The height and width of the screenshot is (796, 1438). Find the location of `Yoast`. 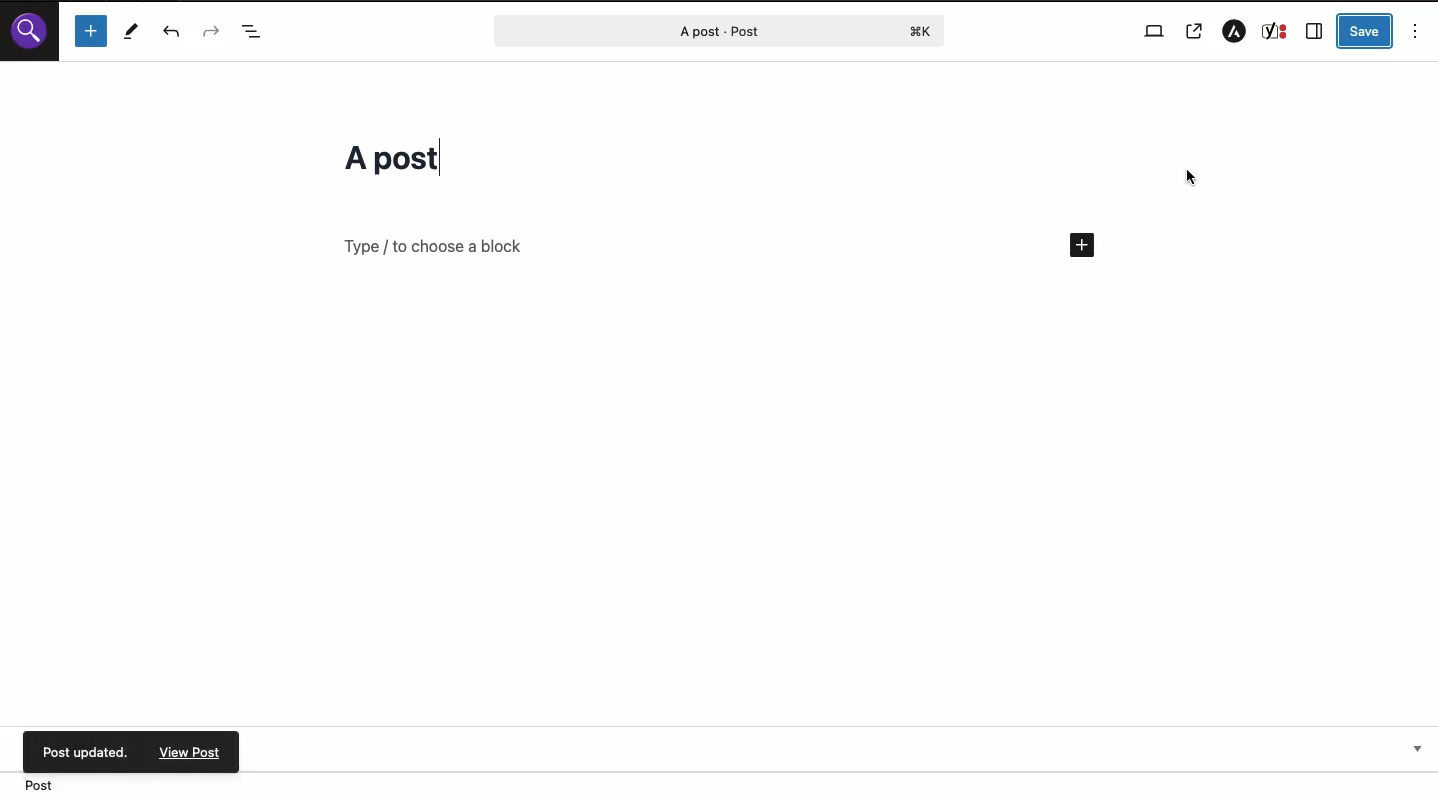

Yoast is located at coordinates (1276, 32).